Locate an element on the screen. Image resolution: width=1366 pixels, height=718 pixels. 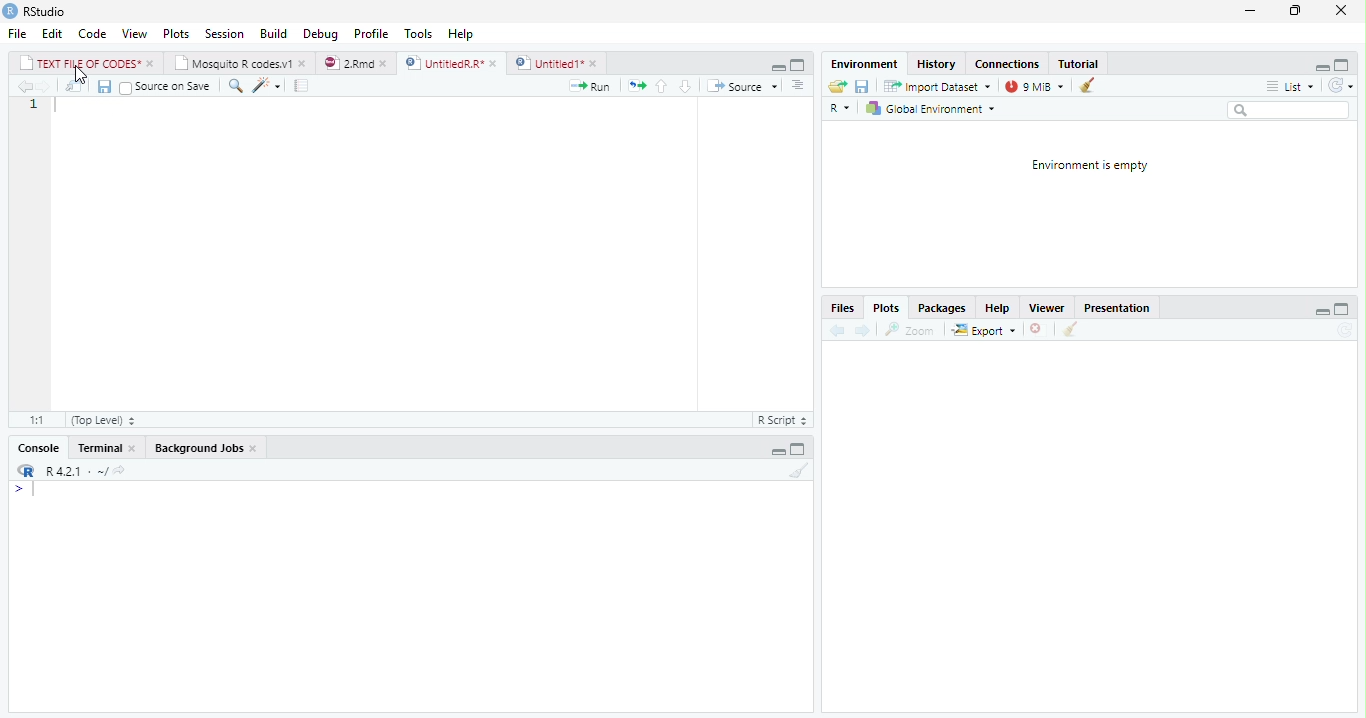
 UntitiedR is located at coordinates (452, 63).